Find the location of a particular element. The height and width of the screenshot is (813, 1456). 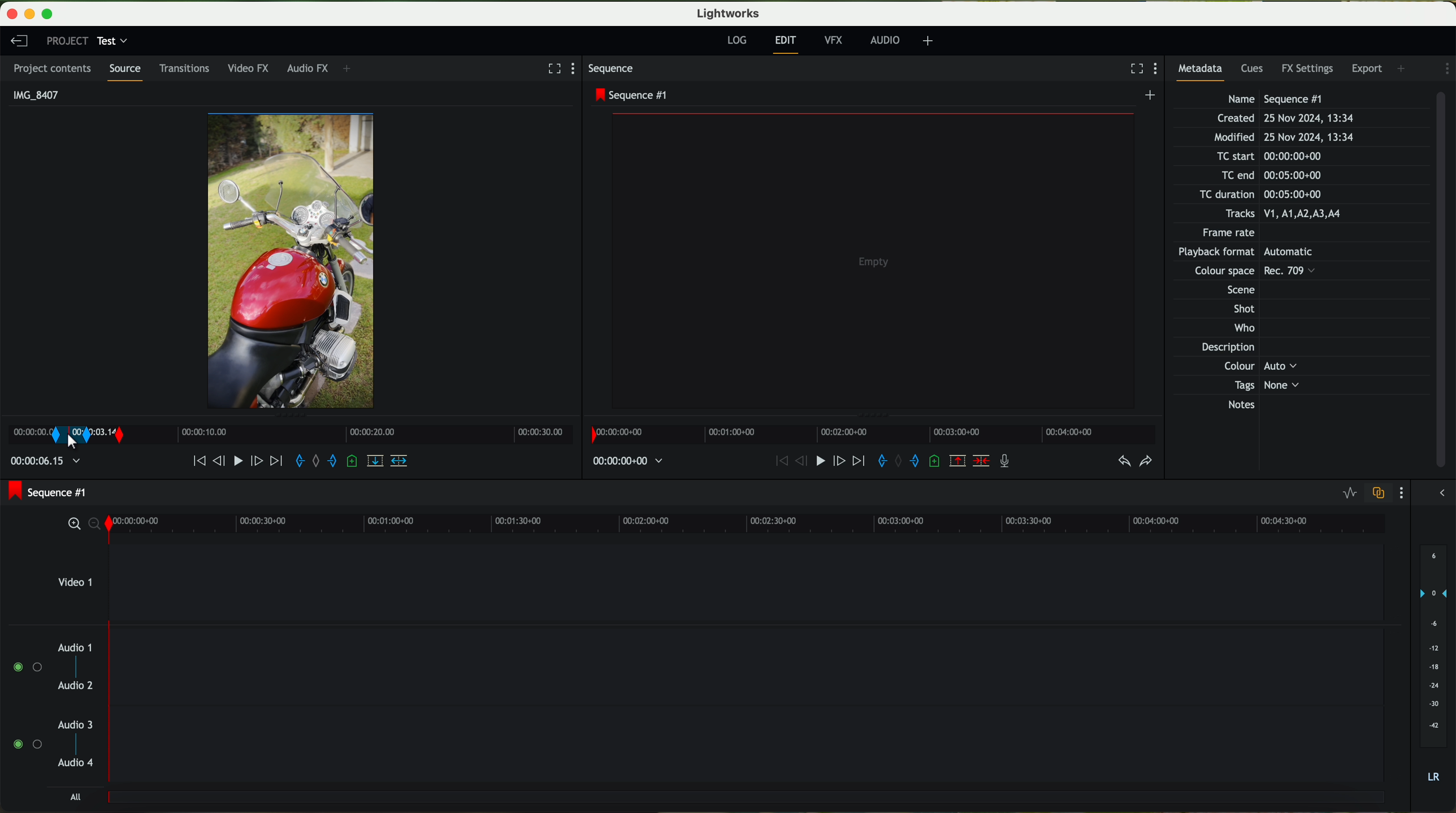

Timeline is located at coordinates (349, 433).